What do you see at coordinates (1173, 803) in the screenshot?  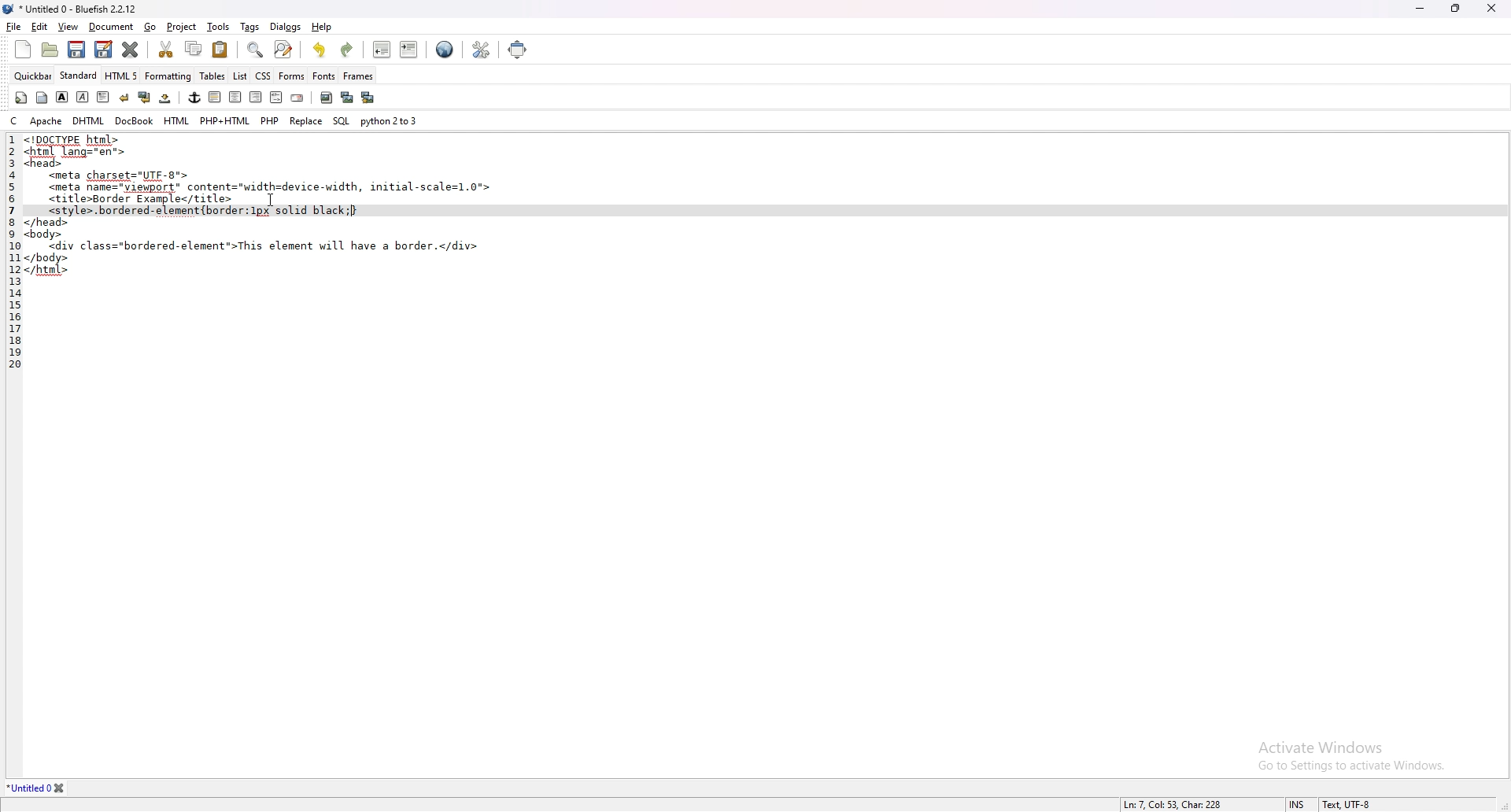 I see `Ln: 7, Col: 53, Char: 228` at bounding box center [1173, 803].